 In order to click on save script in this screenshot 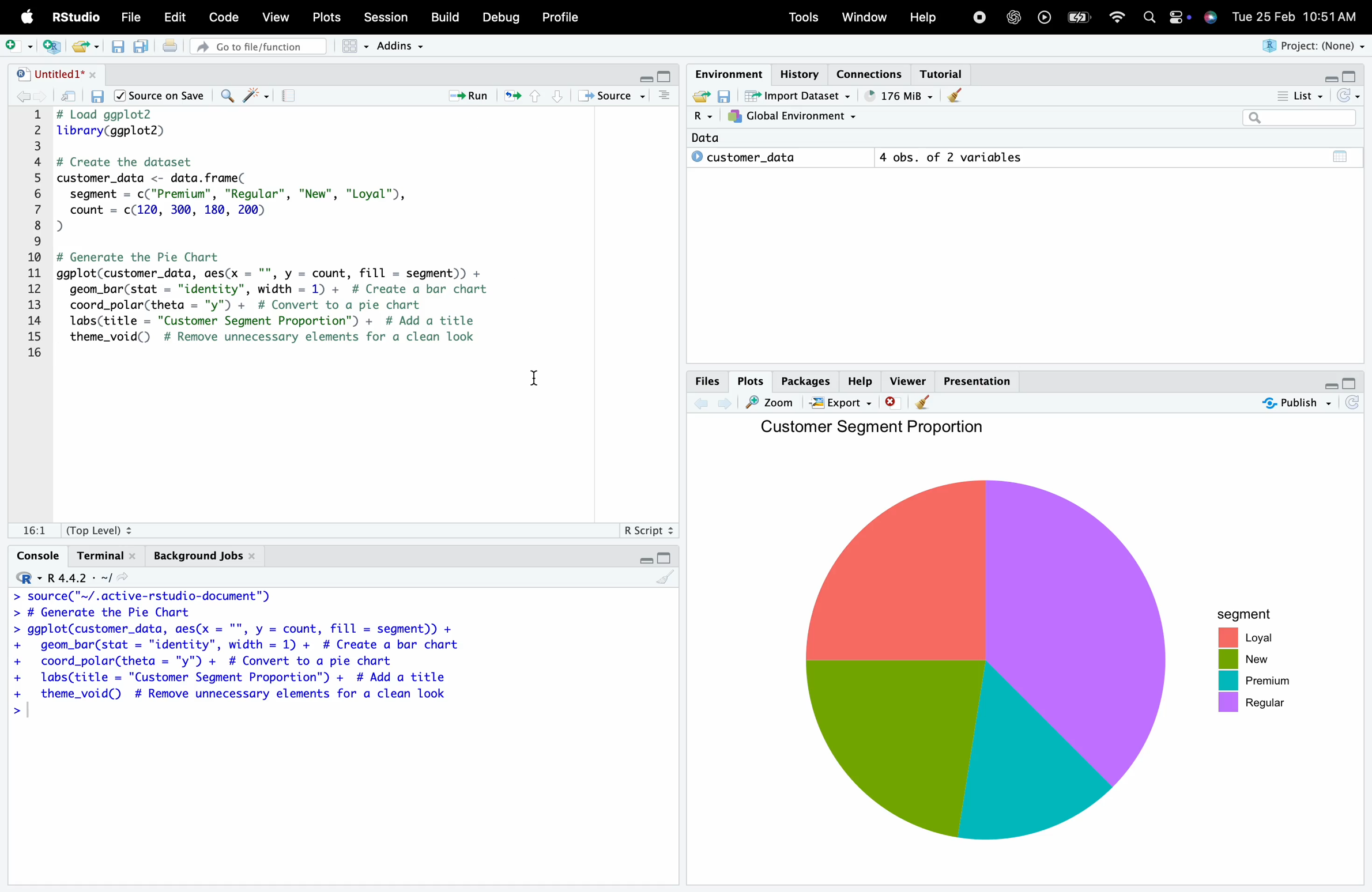, I will do `click(120, 52)`.